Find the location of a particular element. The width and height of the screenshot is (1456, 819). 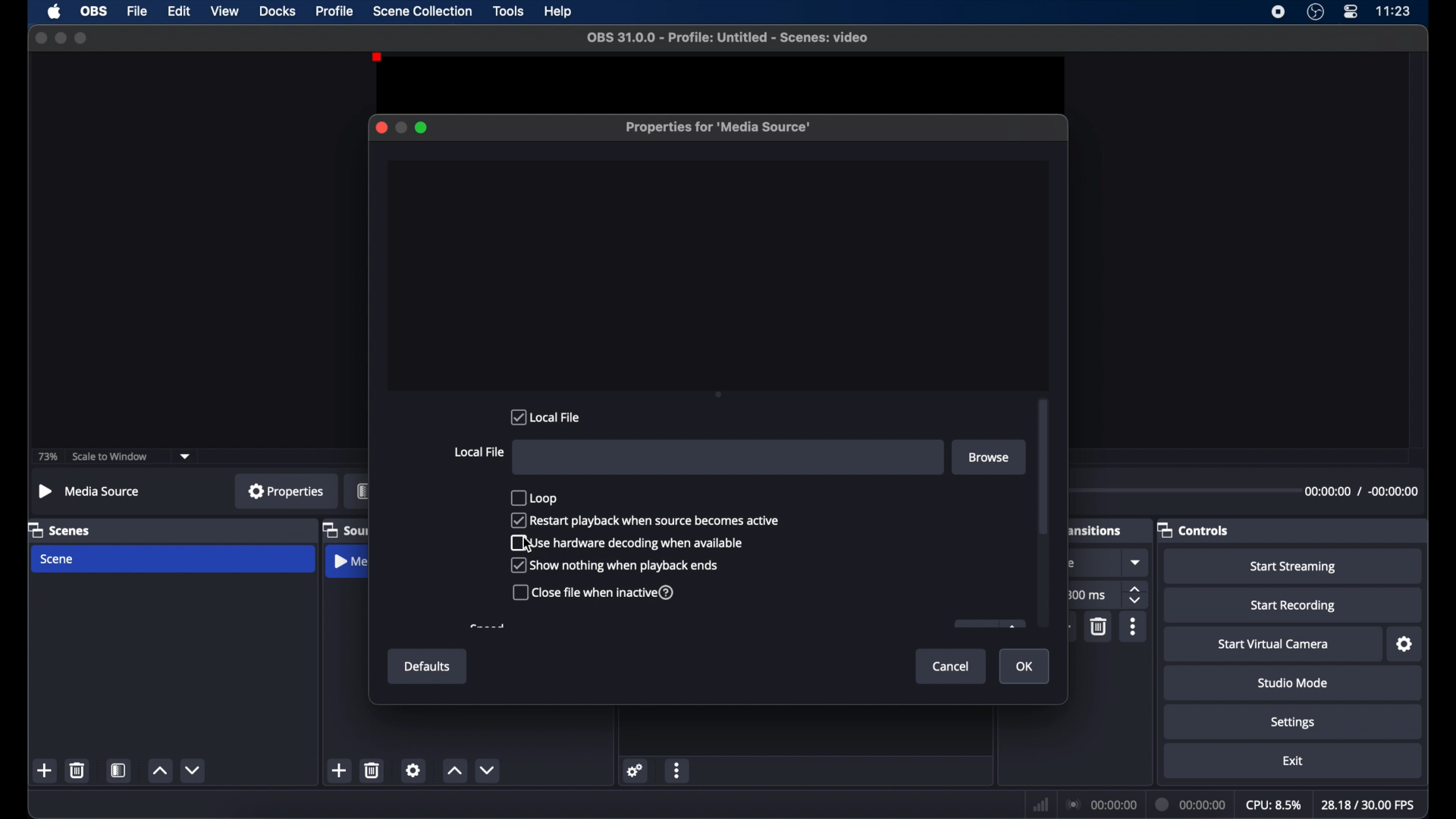

start virtual camera is located at coordinates (1273, 645).